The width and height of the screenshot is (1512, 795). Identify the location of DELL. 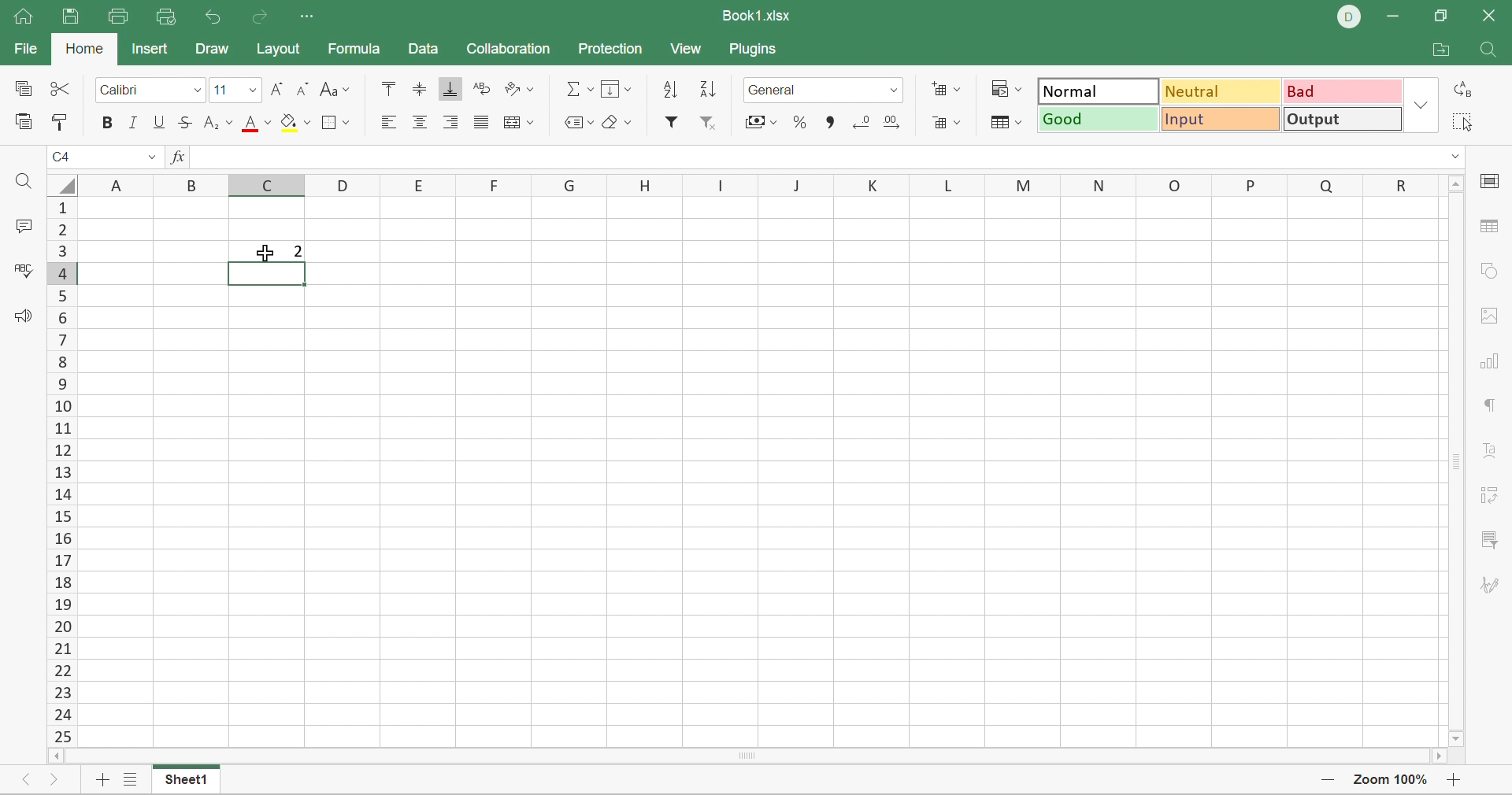
(1351, 17).